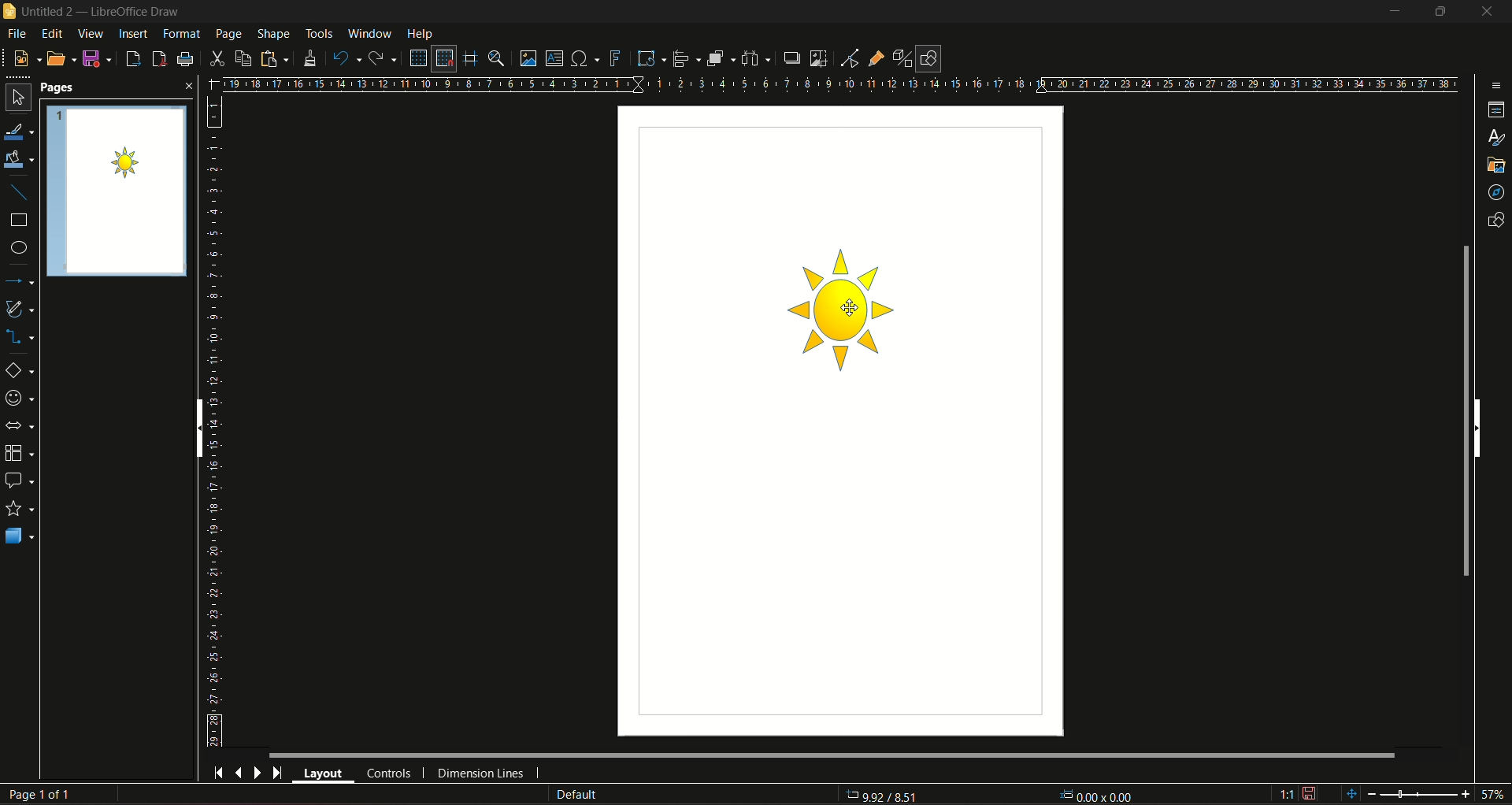 The image size is (1512, 805). I want to click on select atlest 3 objects, so click(755, 57).